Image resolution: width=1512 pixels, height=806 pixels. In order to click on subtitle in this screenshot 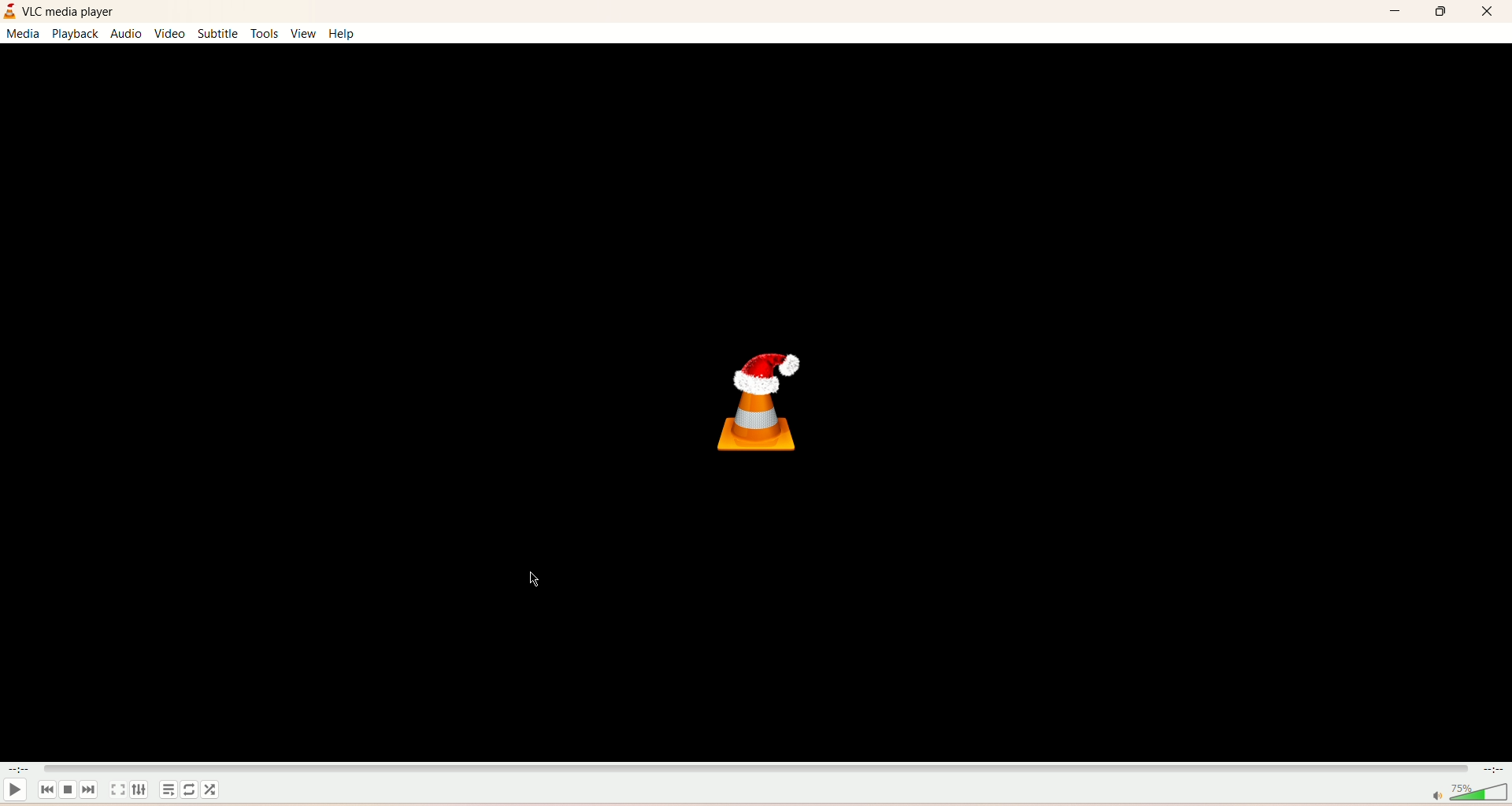, I will do `click(220, 33)`.